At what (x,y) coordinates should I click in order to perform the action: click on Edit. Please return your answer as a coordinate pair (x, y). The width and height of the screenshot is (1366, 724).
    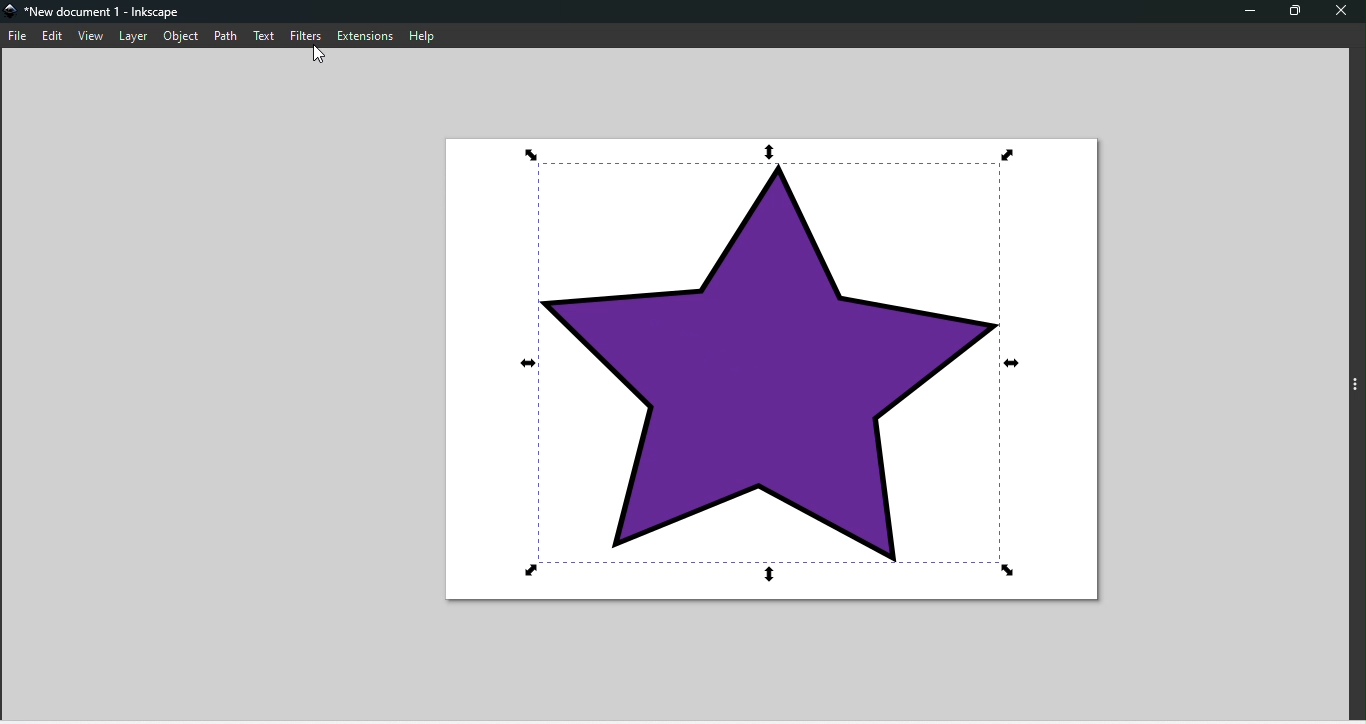
    Looking at the image, I should click on (56, 35).